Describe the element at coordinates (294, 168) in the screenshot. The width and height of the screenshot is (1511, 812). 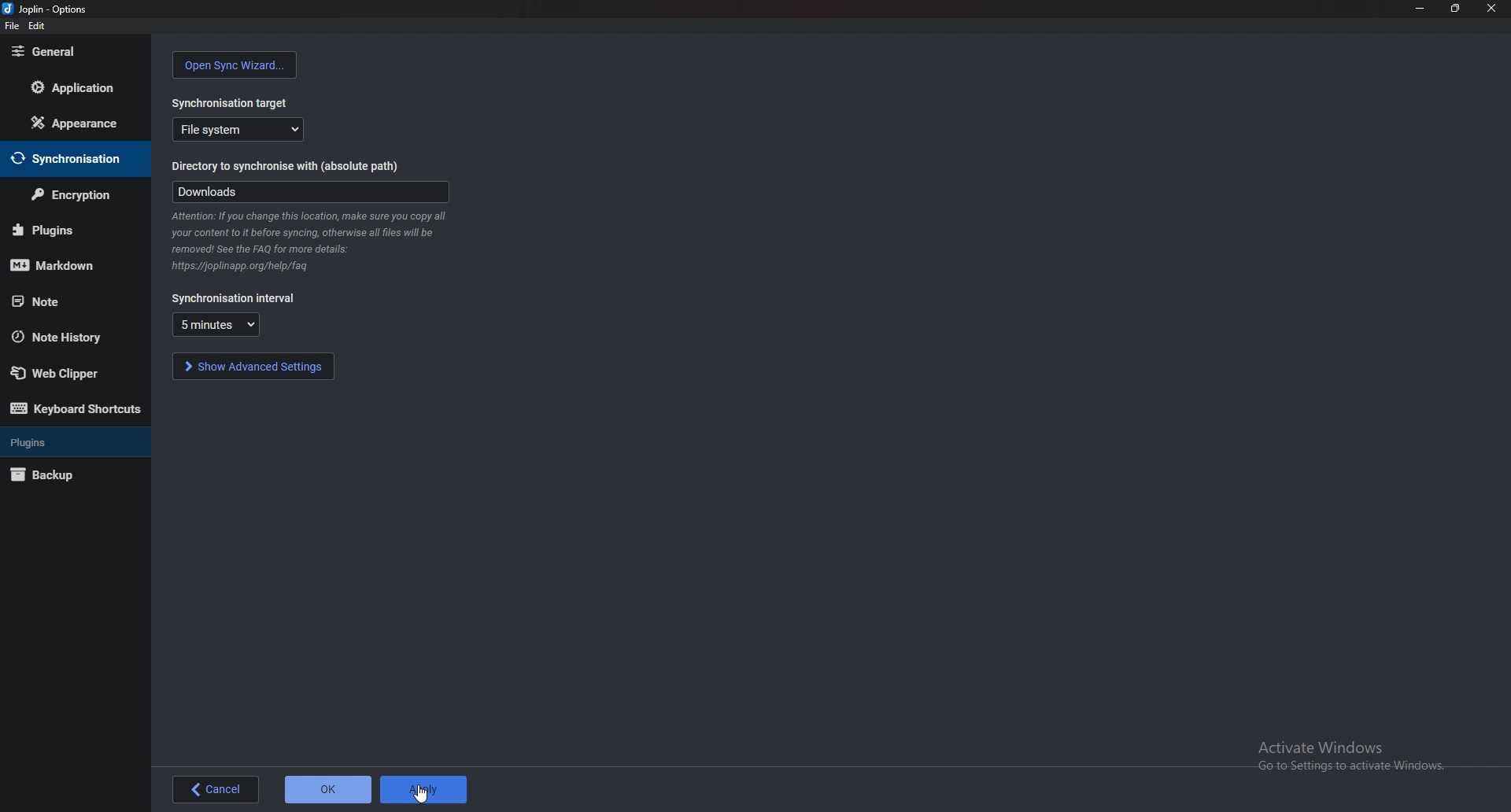
I see `Directory to synchronise with Absolute path` at that location.